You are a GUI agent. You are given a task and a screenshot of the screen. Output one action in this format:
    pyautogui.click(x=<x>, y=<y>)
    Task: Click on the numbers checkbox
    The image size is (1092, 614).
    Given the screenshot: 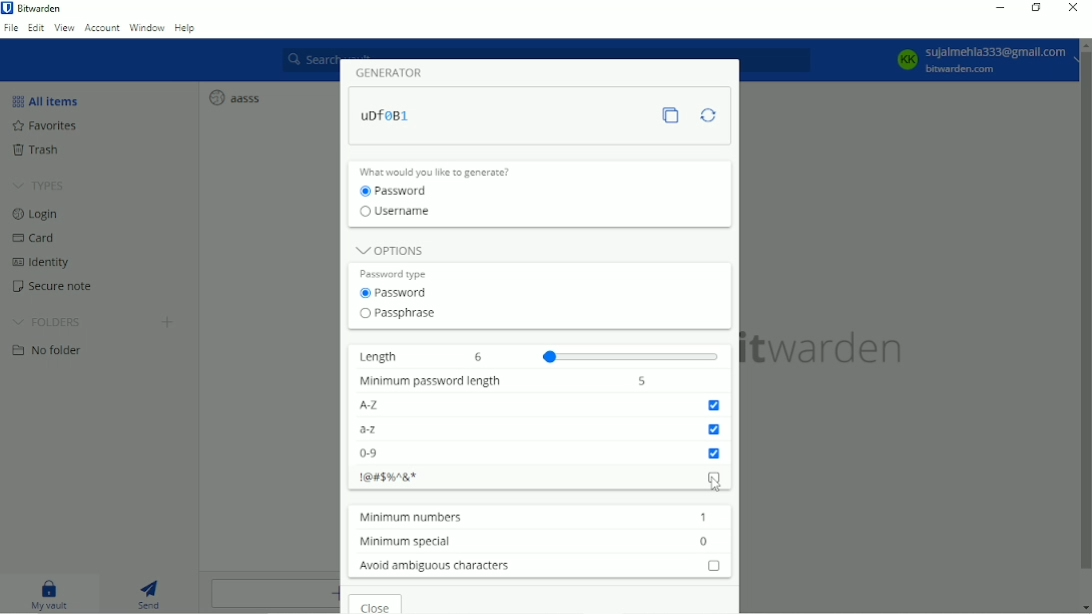 What is the action you would take?
    pyautogui.click(x=716, y=456)
    